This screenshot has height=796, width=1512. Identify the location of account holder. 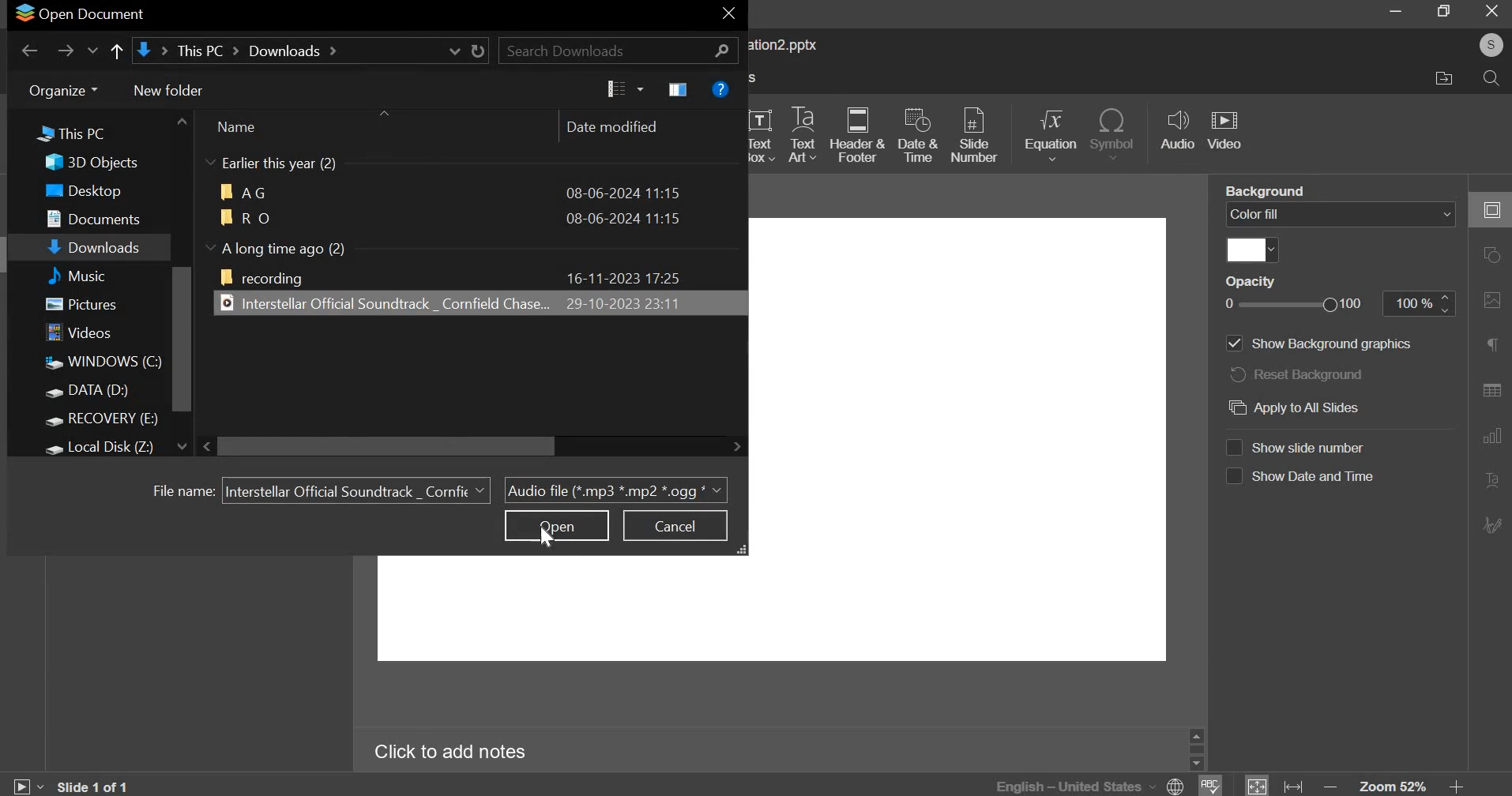
(1491, 45).